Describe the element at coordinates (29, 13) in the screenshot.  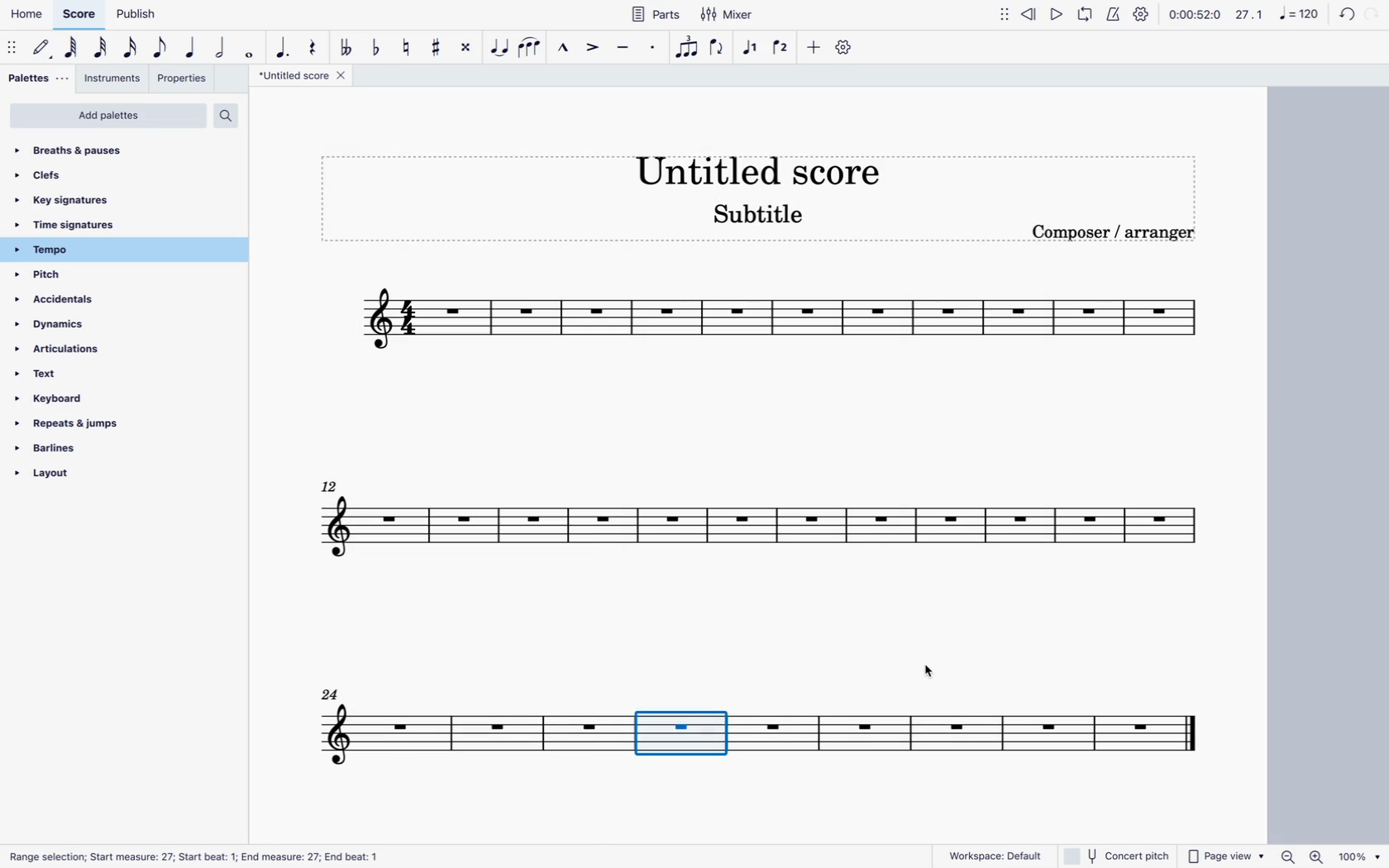
I see `home` at that location.